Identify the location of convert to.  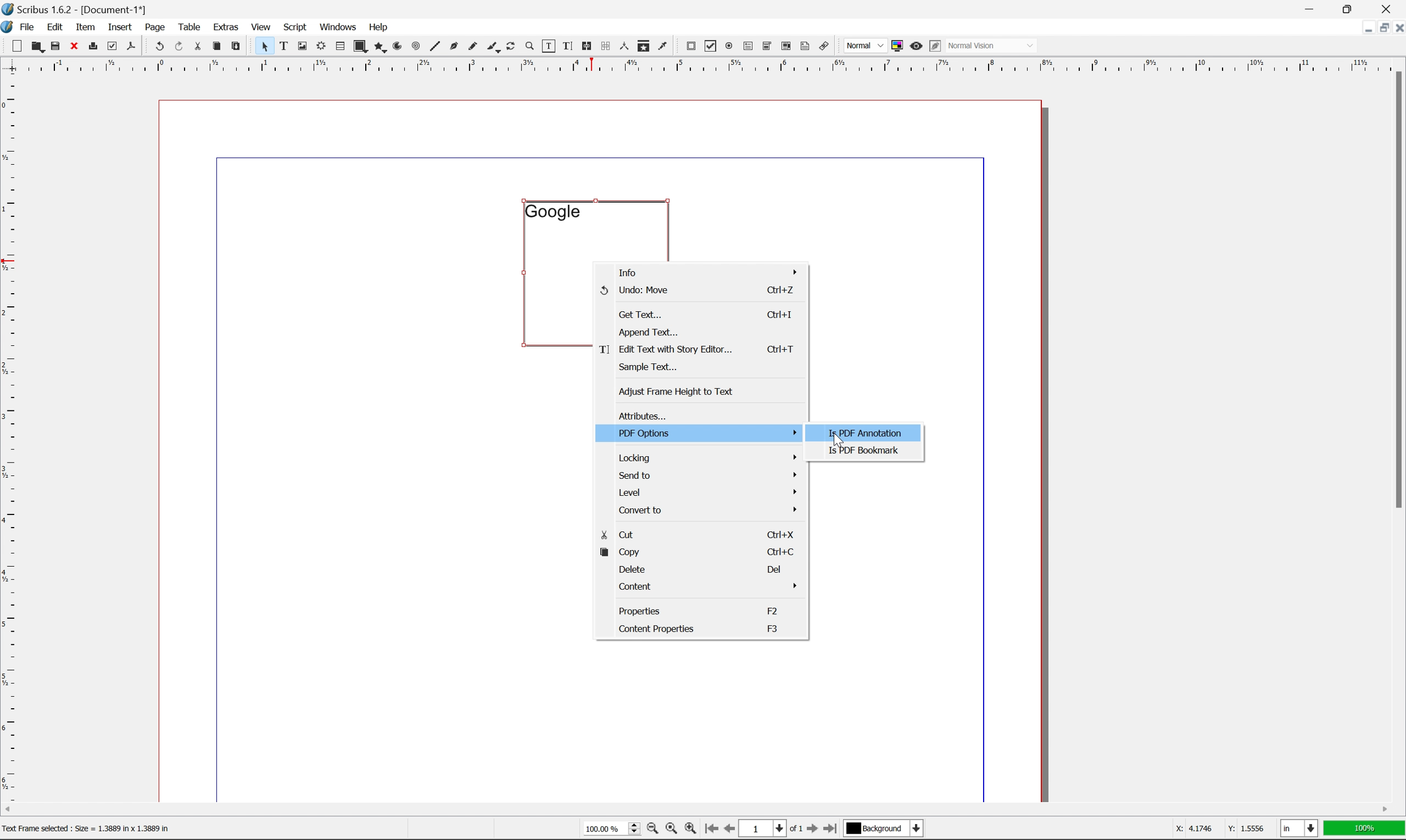
(710, 509).